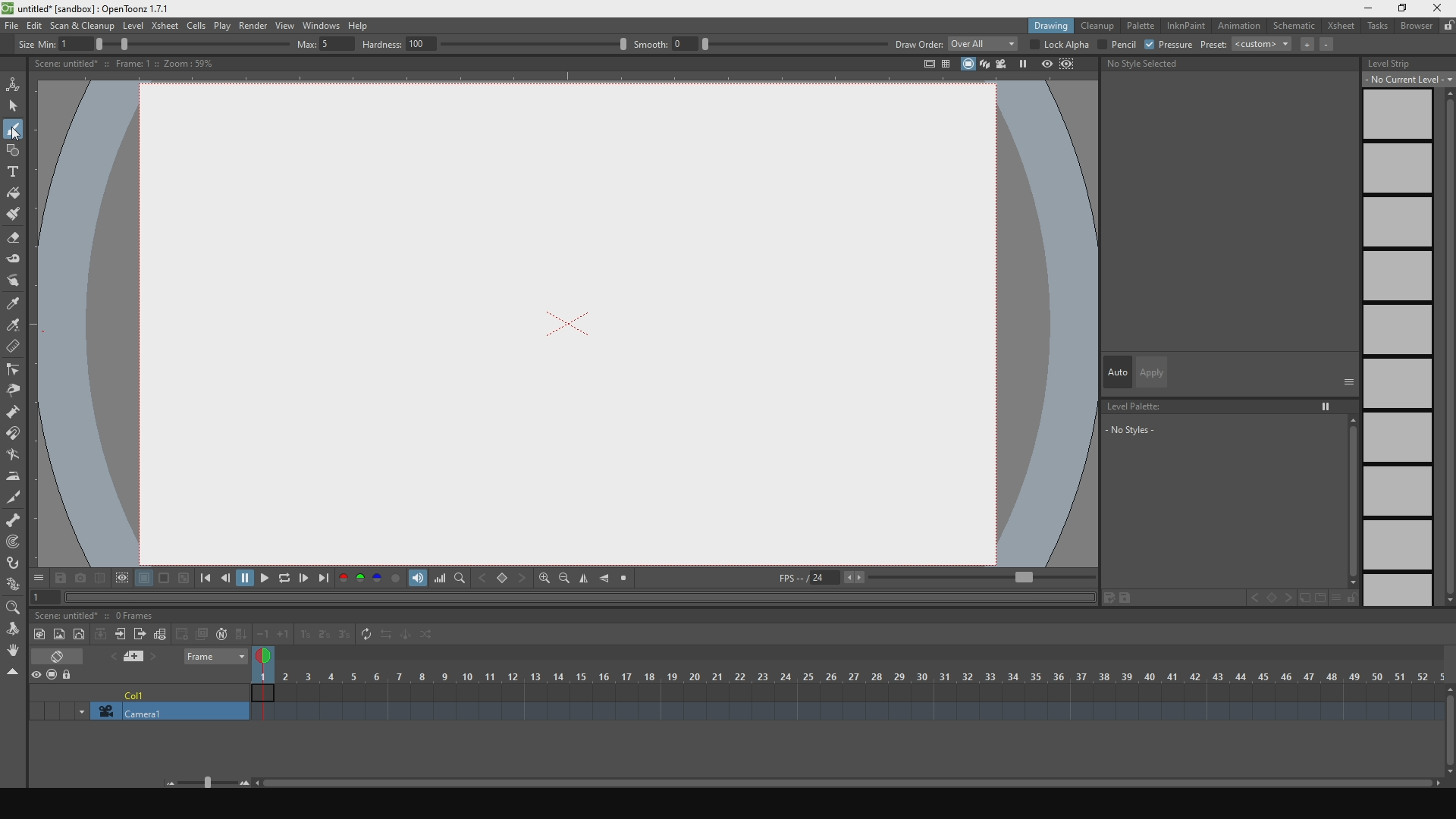  What do you see at coordinates (14, 193) in the screenshot?
I see `fill` at bounding box center [14, 193].